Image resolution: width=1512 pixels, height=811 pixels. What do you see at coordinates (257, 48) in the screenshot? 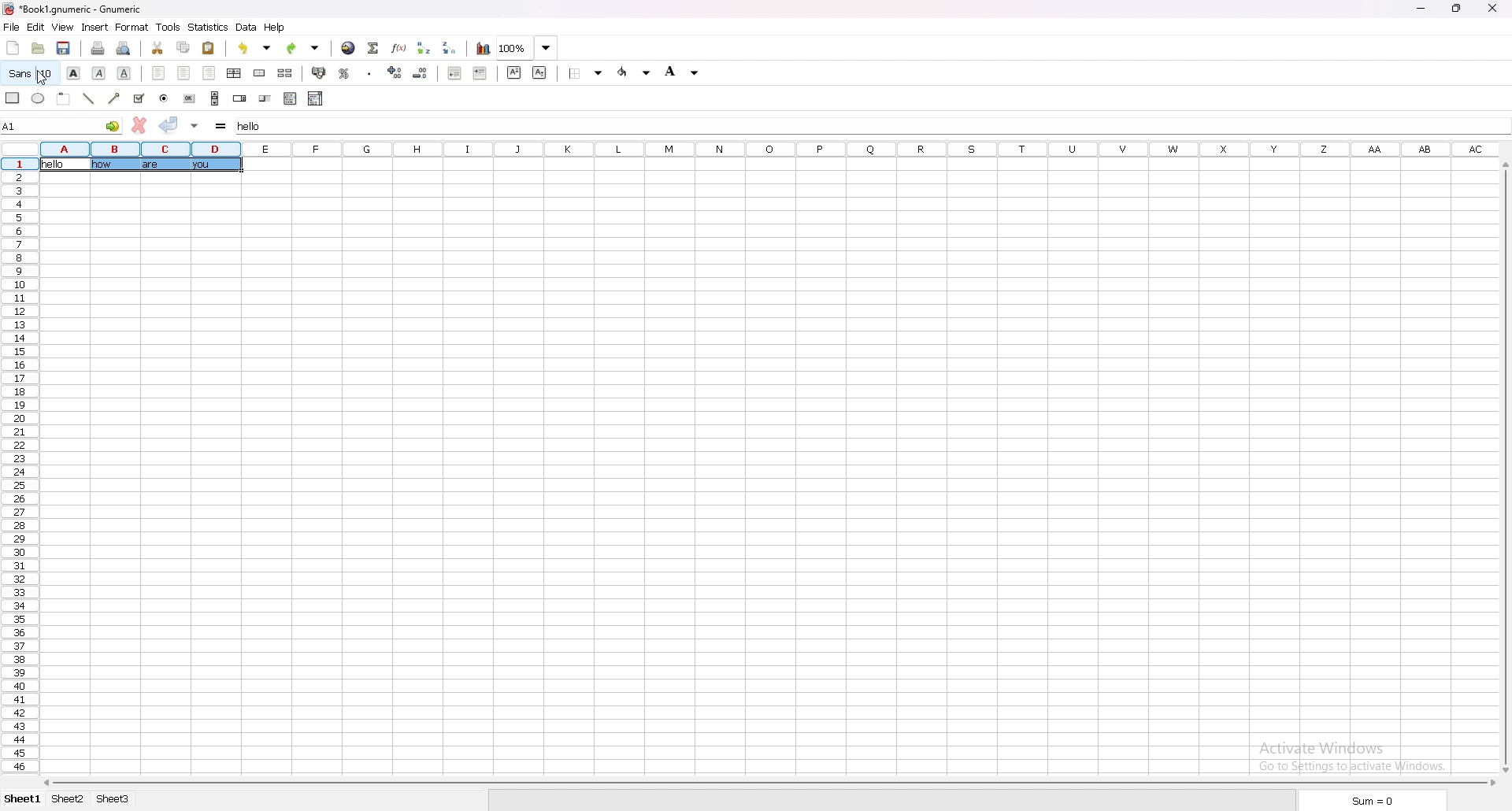
I see `undo` at bounding box center [257, 48].